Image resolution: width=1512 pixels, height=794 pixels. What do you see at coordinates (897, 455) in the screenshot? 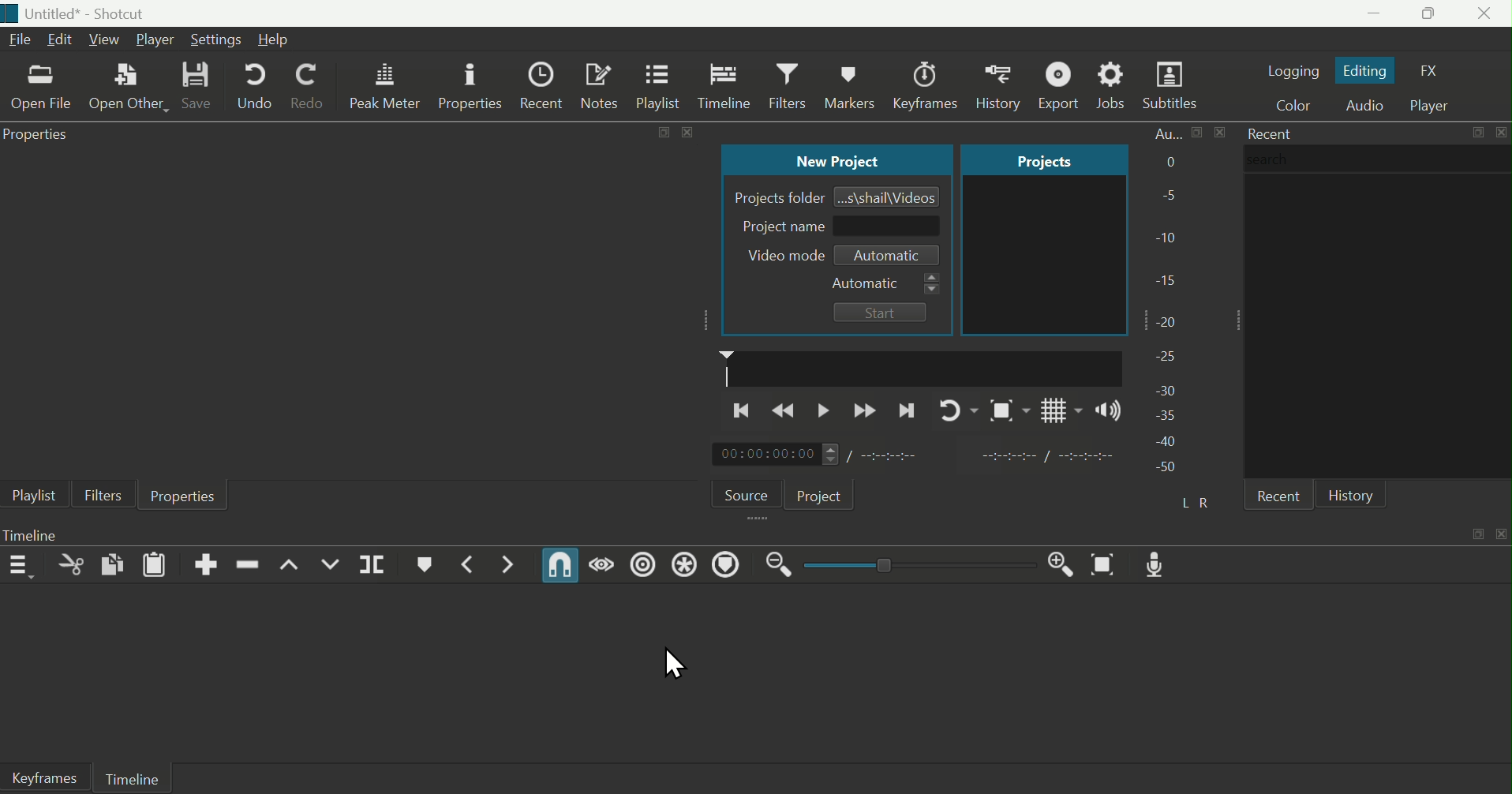
I see `total duration` at bounding box center [897, 455].